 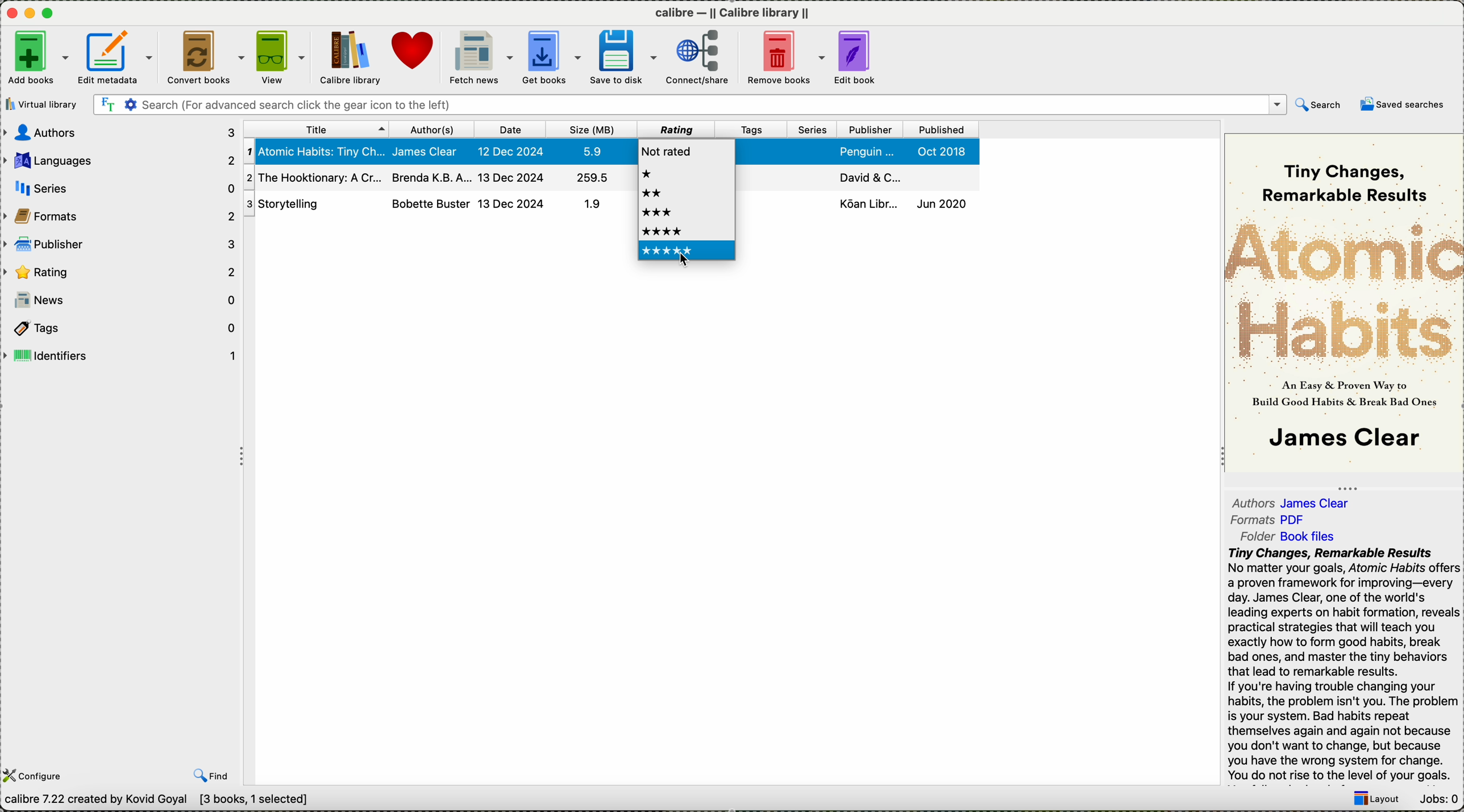 What do you see at coordinates (160, 801) in the screenshot?
I see `calibre 7.22 created by Kovid Goyal [3 books]` at bounding box center [160, 801].